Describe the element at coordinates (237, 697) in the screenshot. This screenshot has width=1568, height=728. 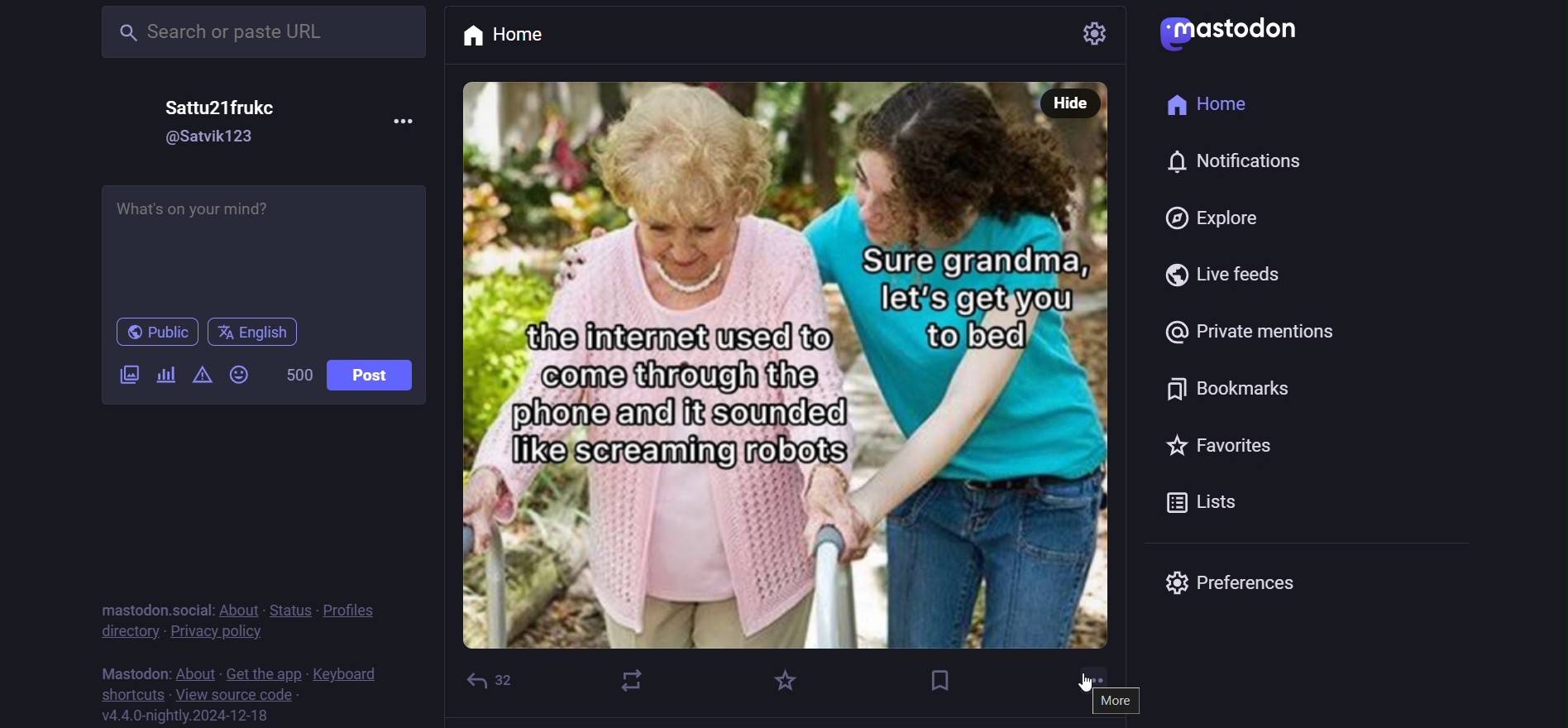
I see `source code` at that location.